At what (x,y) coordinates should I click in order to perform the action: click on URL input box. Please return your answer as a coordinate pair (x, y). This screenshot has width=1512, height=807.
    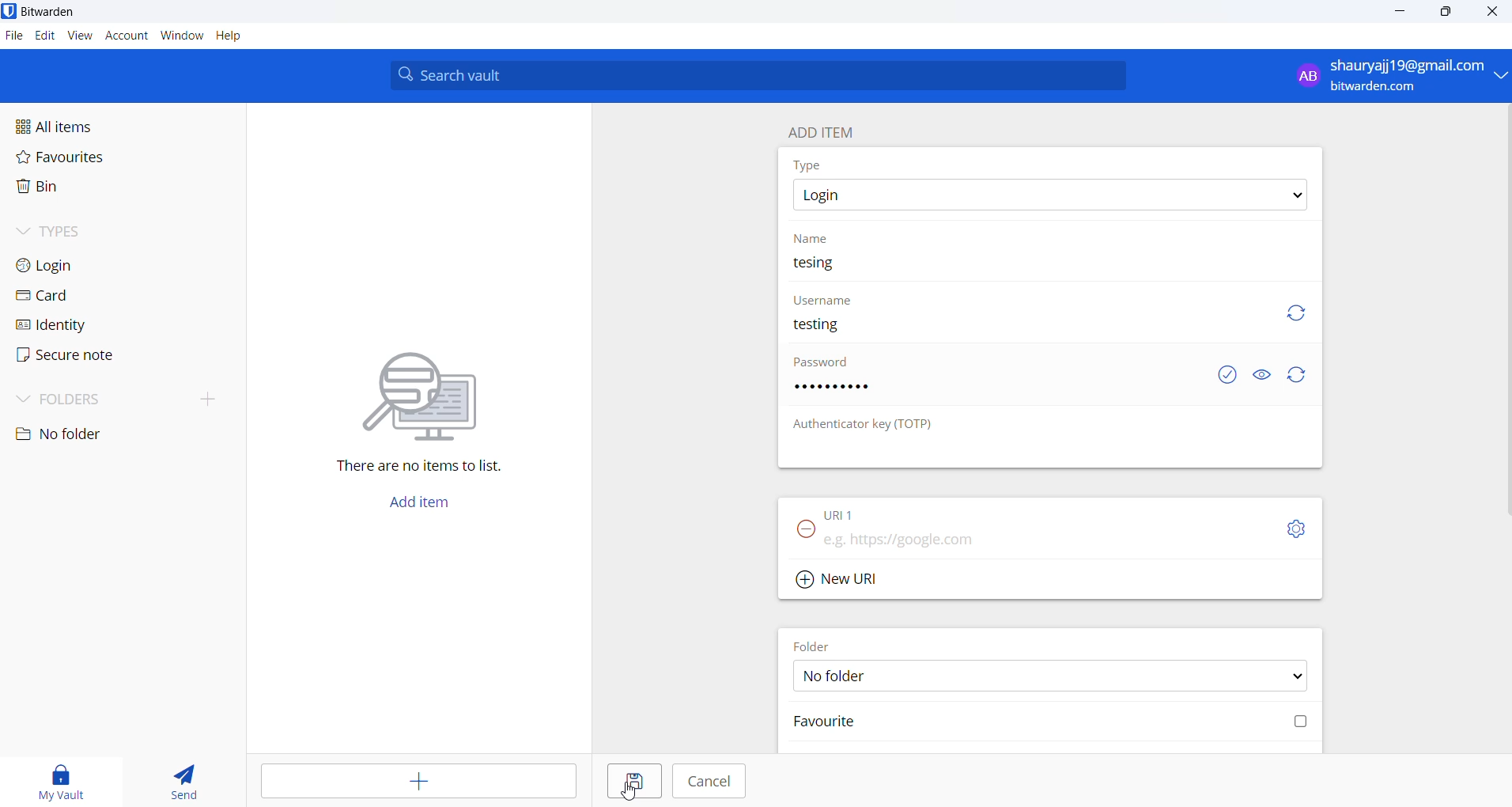
    Looking at the image, I should click on (1038, 538).